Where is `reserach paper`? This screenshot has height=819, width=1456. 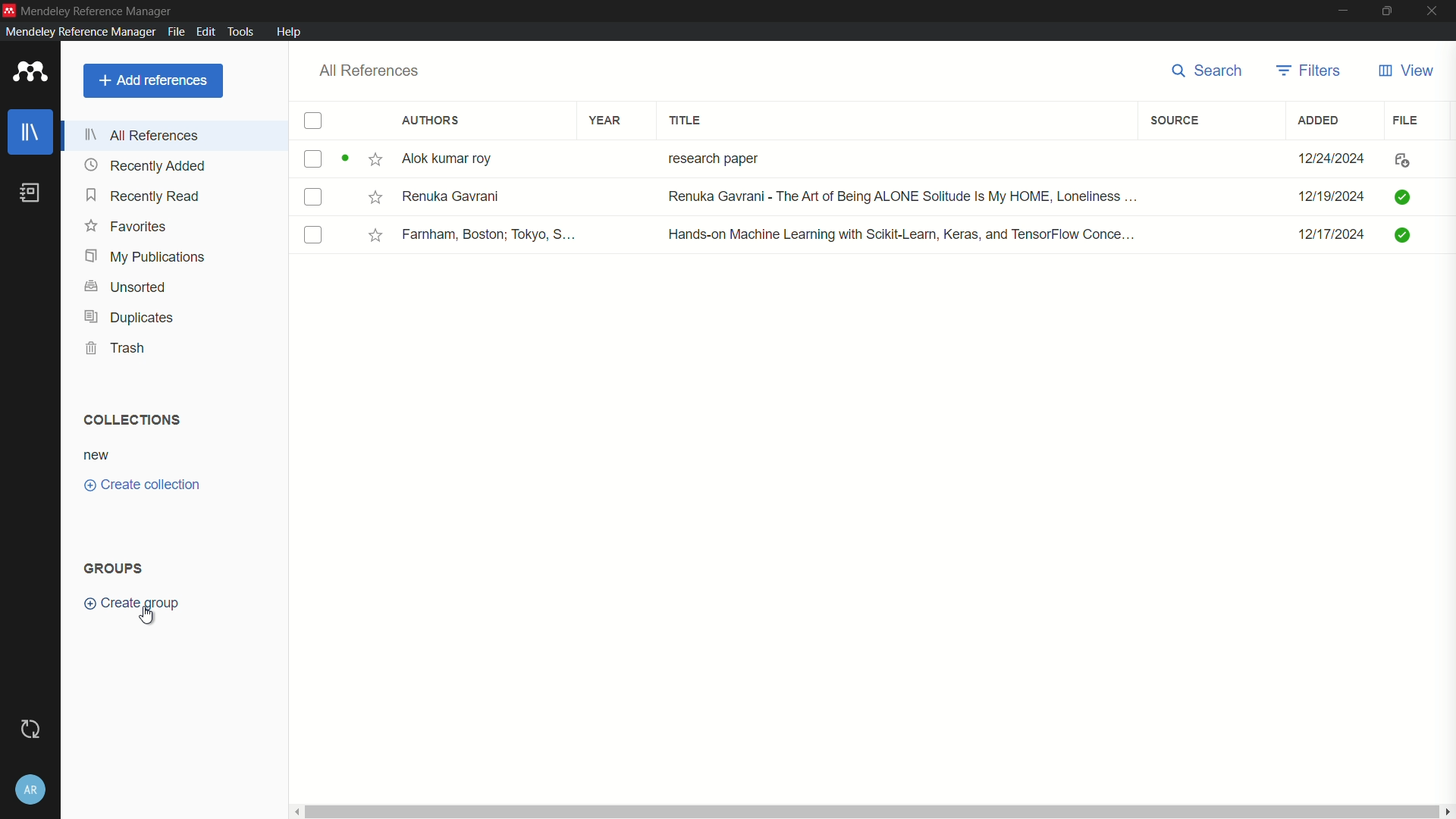 reserach paper is located at coordinates (710, 155).